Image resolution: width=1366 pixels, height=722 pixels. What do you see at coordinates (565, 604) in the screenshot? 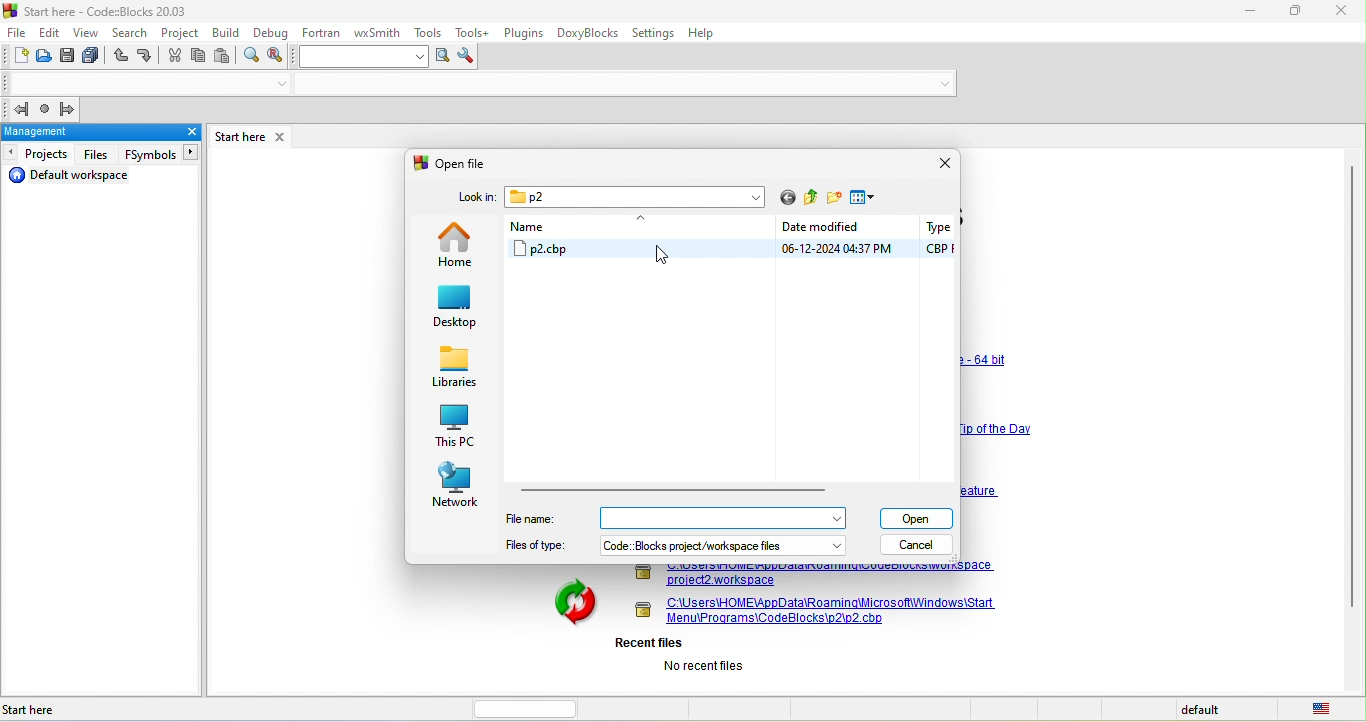
I see `image` at bounding box center [565, 604].